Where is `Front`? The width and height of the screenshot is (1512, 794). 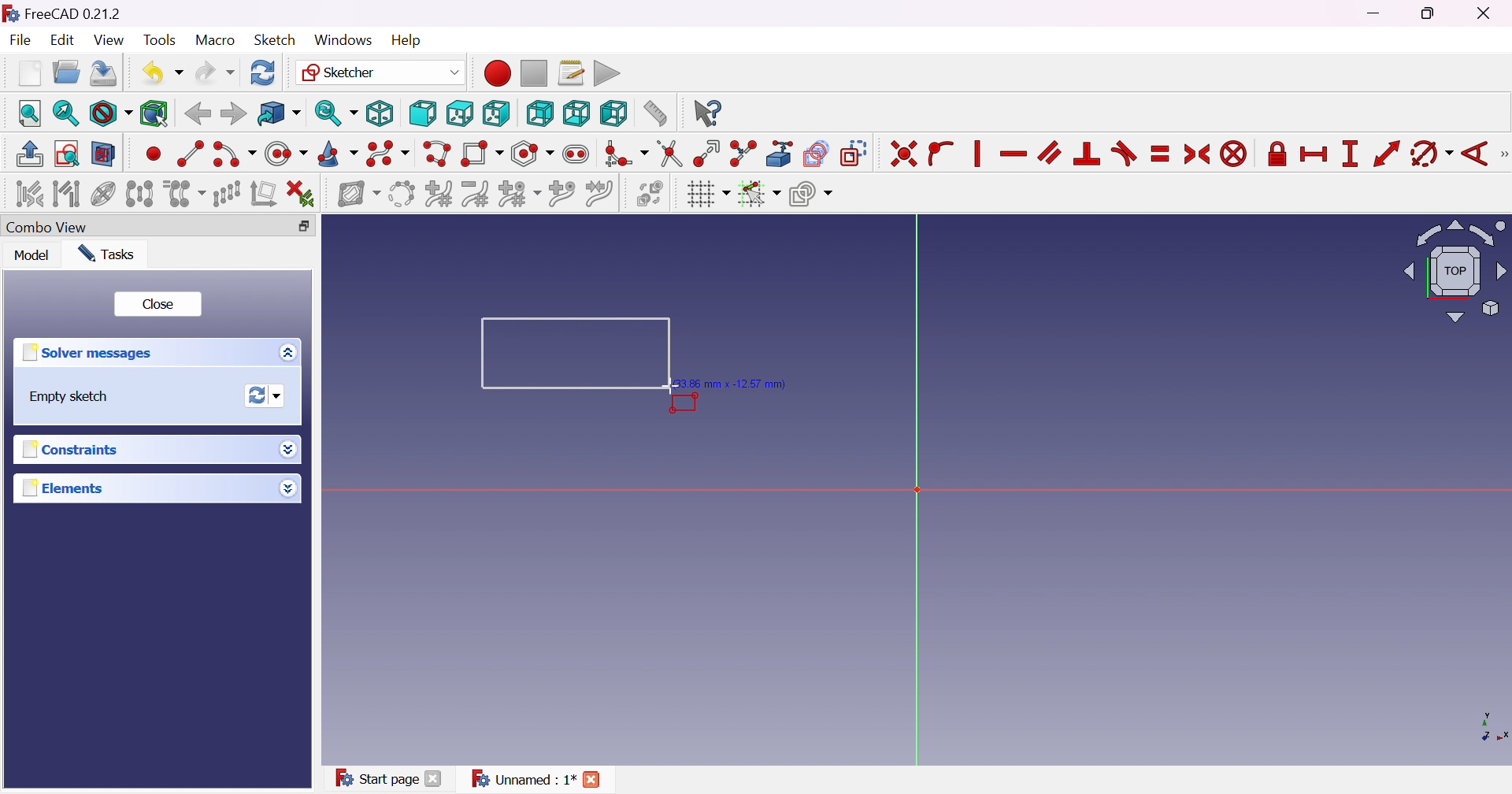
Front is located at coordinates (422, 114).